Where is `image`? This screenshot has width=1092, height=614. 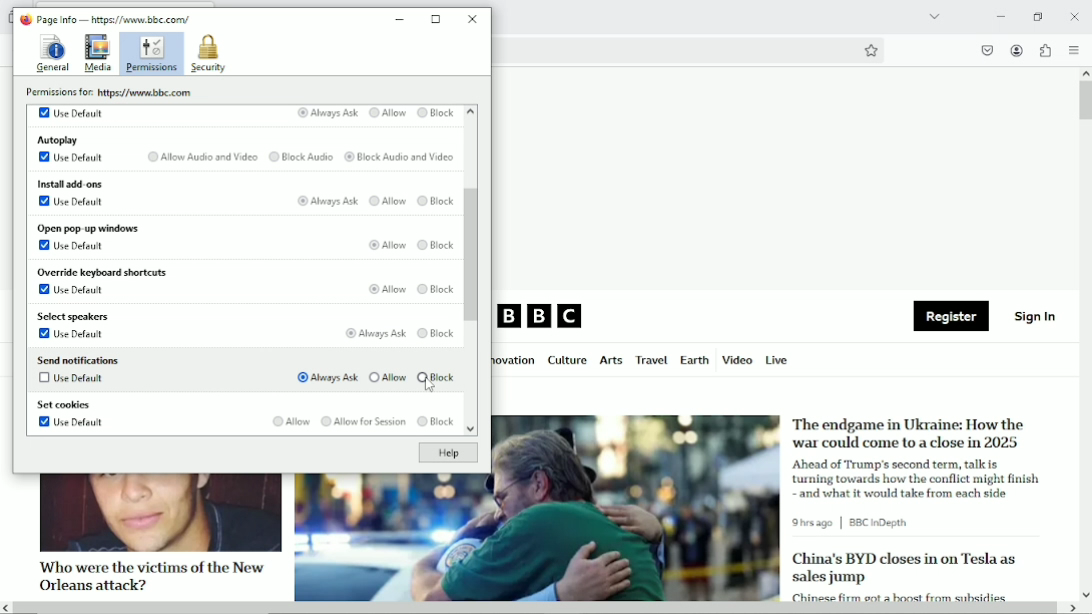
image is located at coordinates (537, 538).